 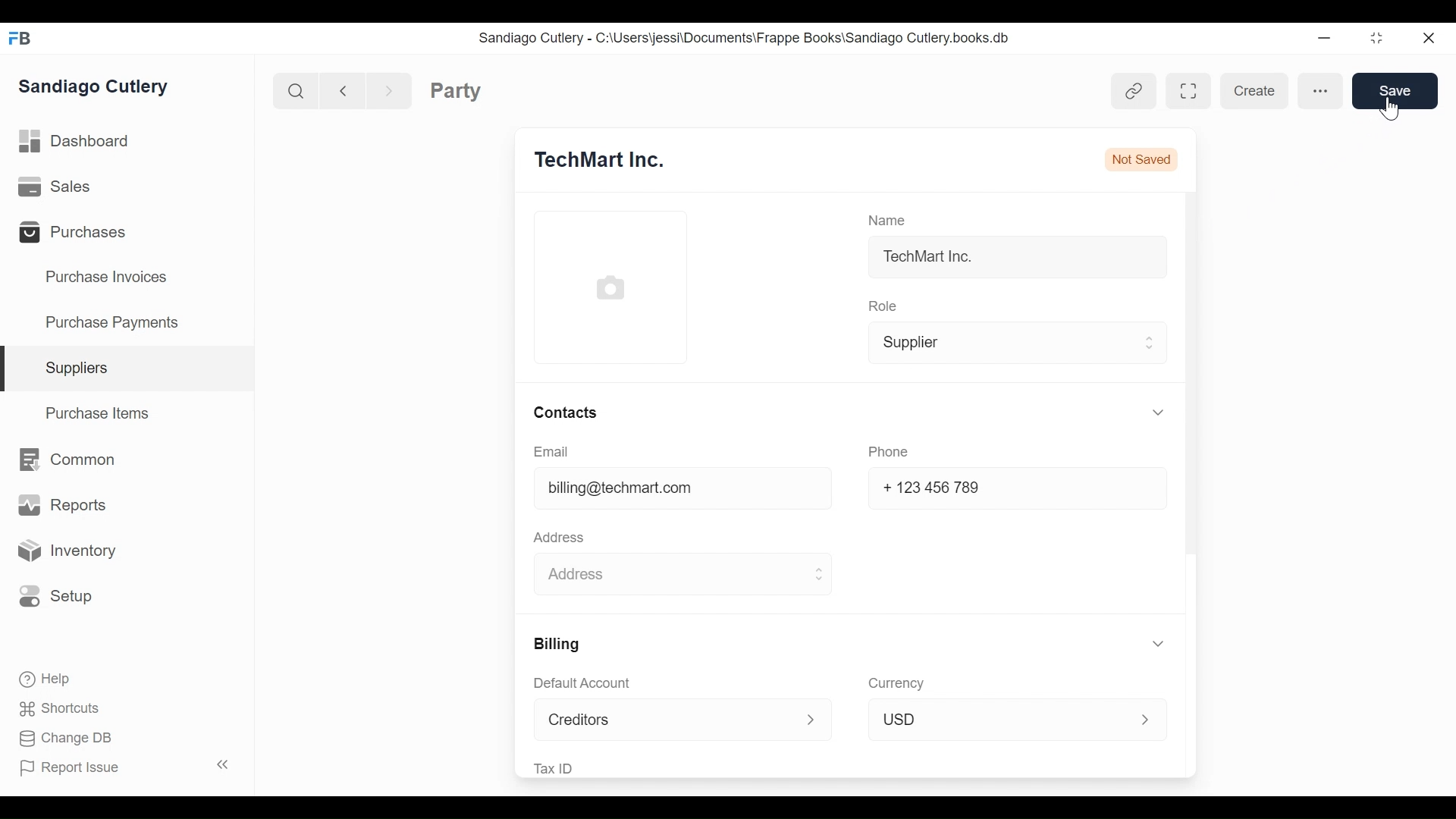 What do you see at coordinates (1398, 112) in the screenshot?
I see `cursor` at bounding box center [1398, 112].